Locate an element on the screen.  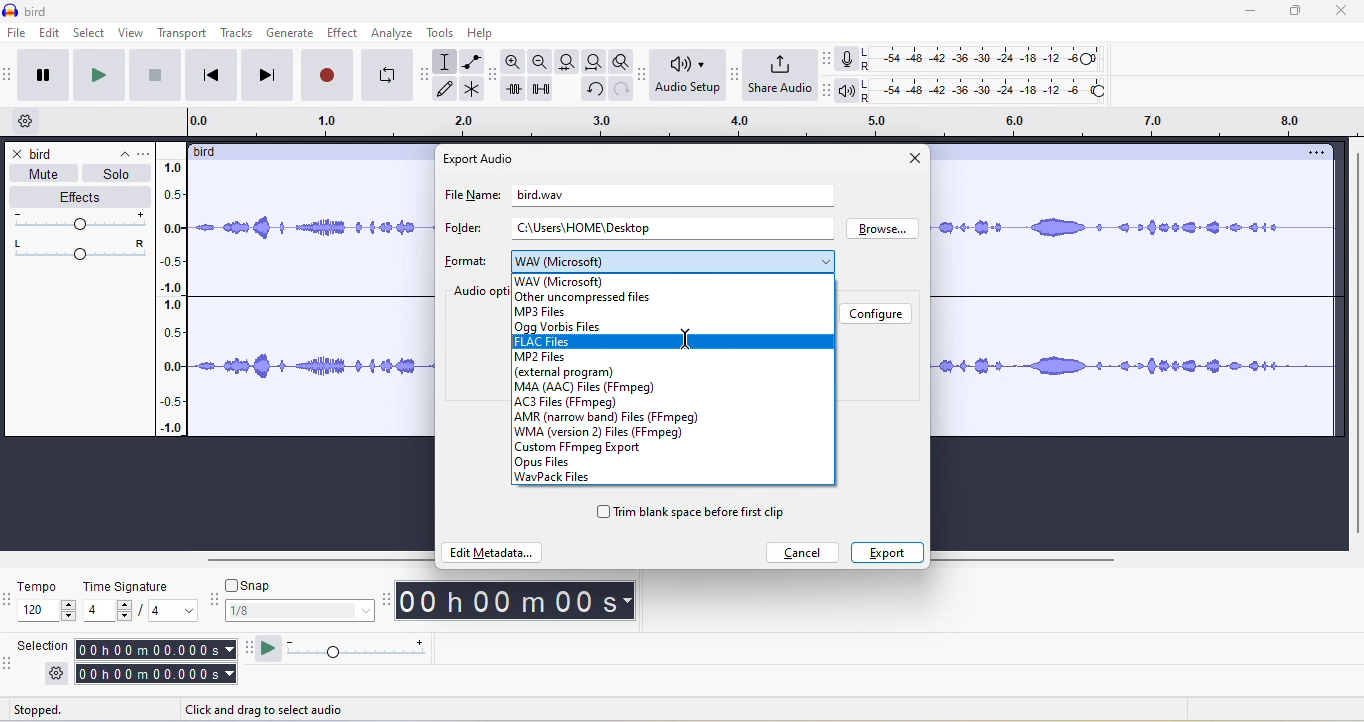
fit project to width is located at coordinates (592, 64).